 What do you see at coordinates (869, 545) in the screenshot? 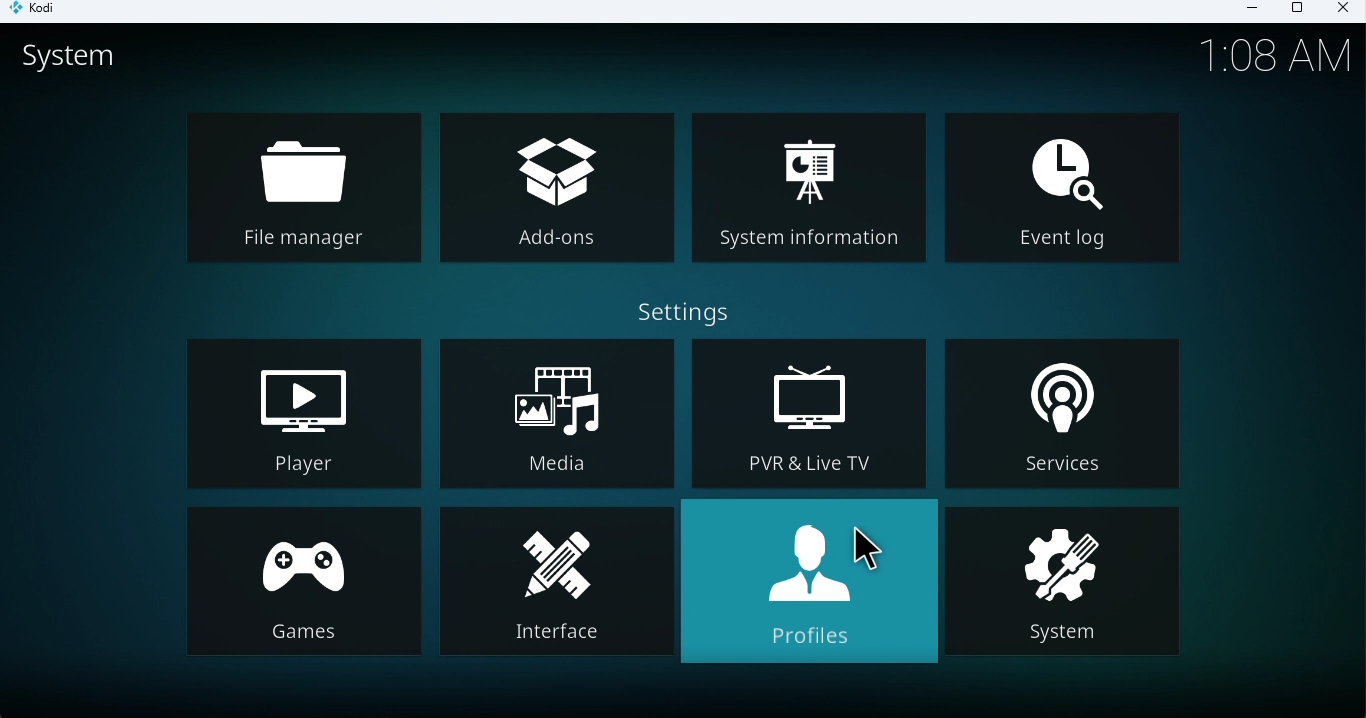
I see `cursor` at bounding box center [869, 545].